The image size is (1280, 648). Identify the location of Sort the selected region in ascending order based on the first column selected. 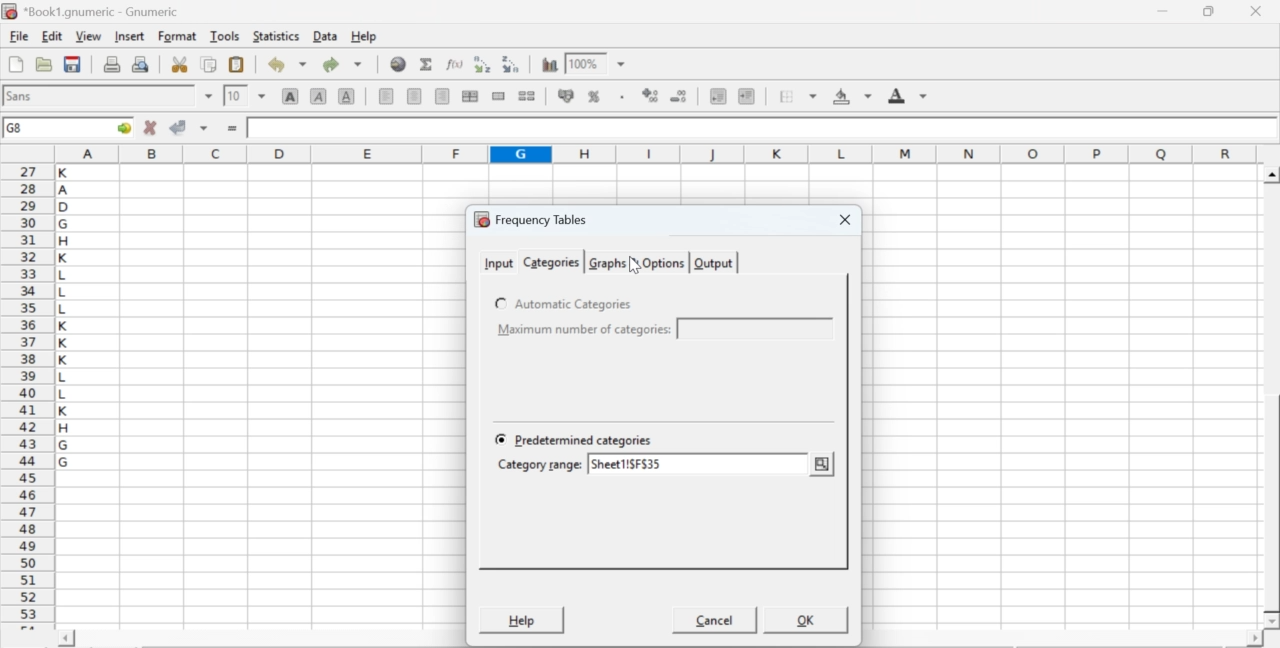
(485, 64).